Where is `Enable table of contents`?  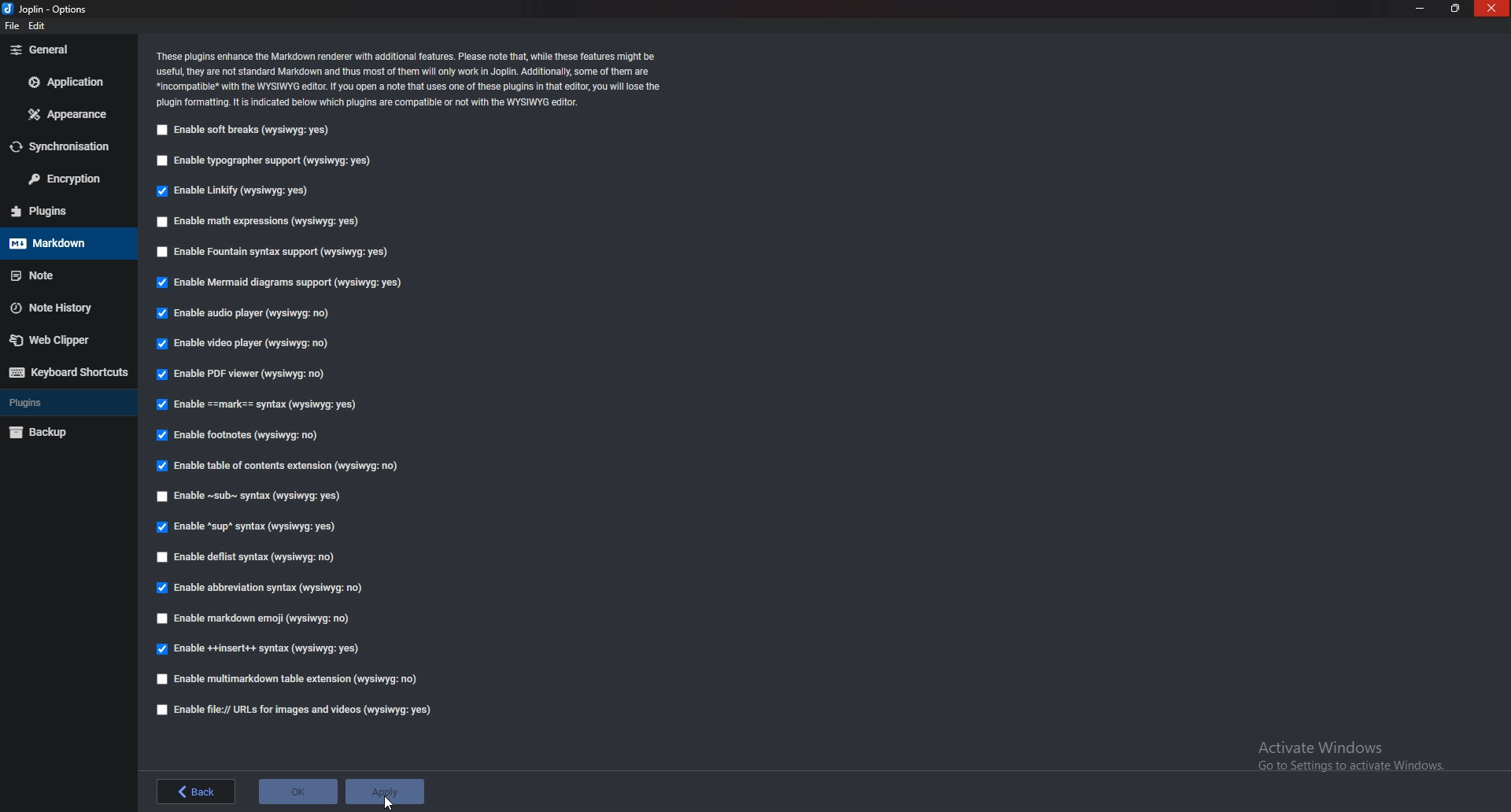 Enable table of contents is located at coordinates (279, 466).